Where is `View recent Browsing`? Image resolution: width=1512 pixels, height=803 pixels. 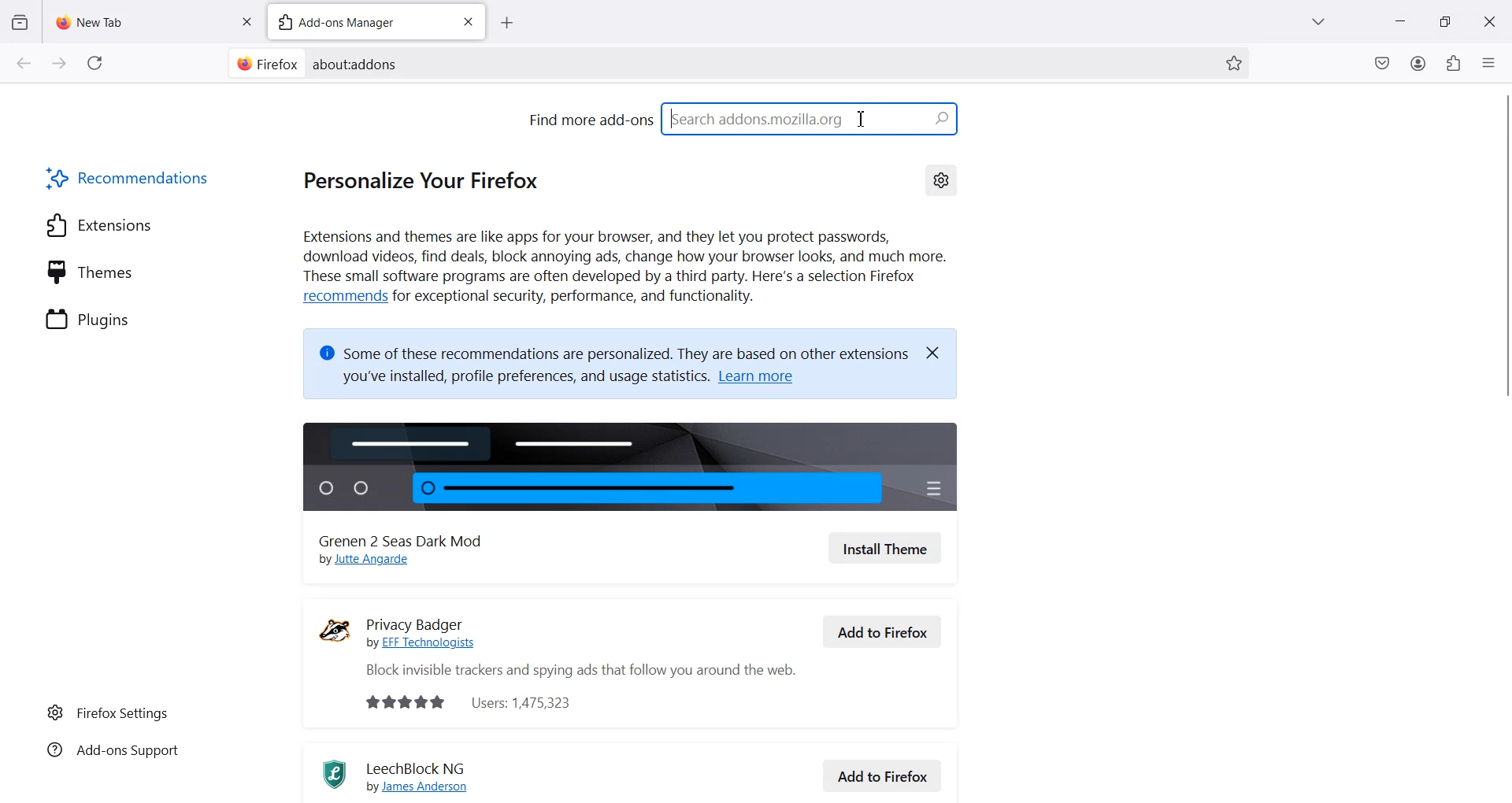 View recent Browsing is located at coordinates (20, 23).